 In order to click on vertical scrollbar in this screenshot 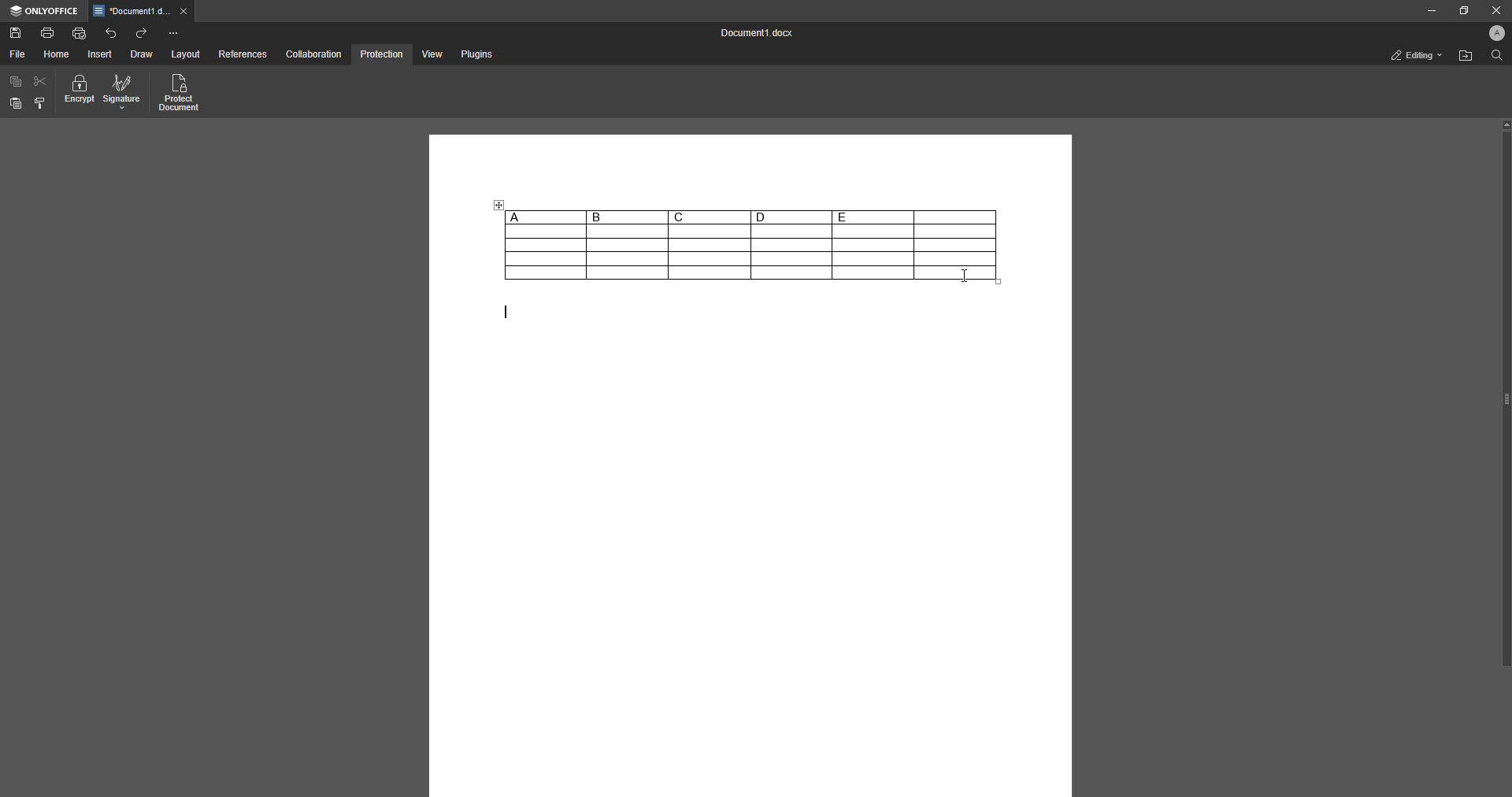, I will do `click(1505, 393)`.